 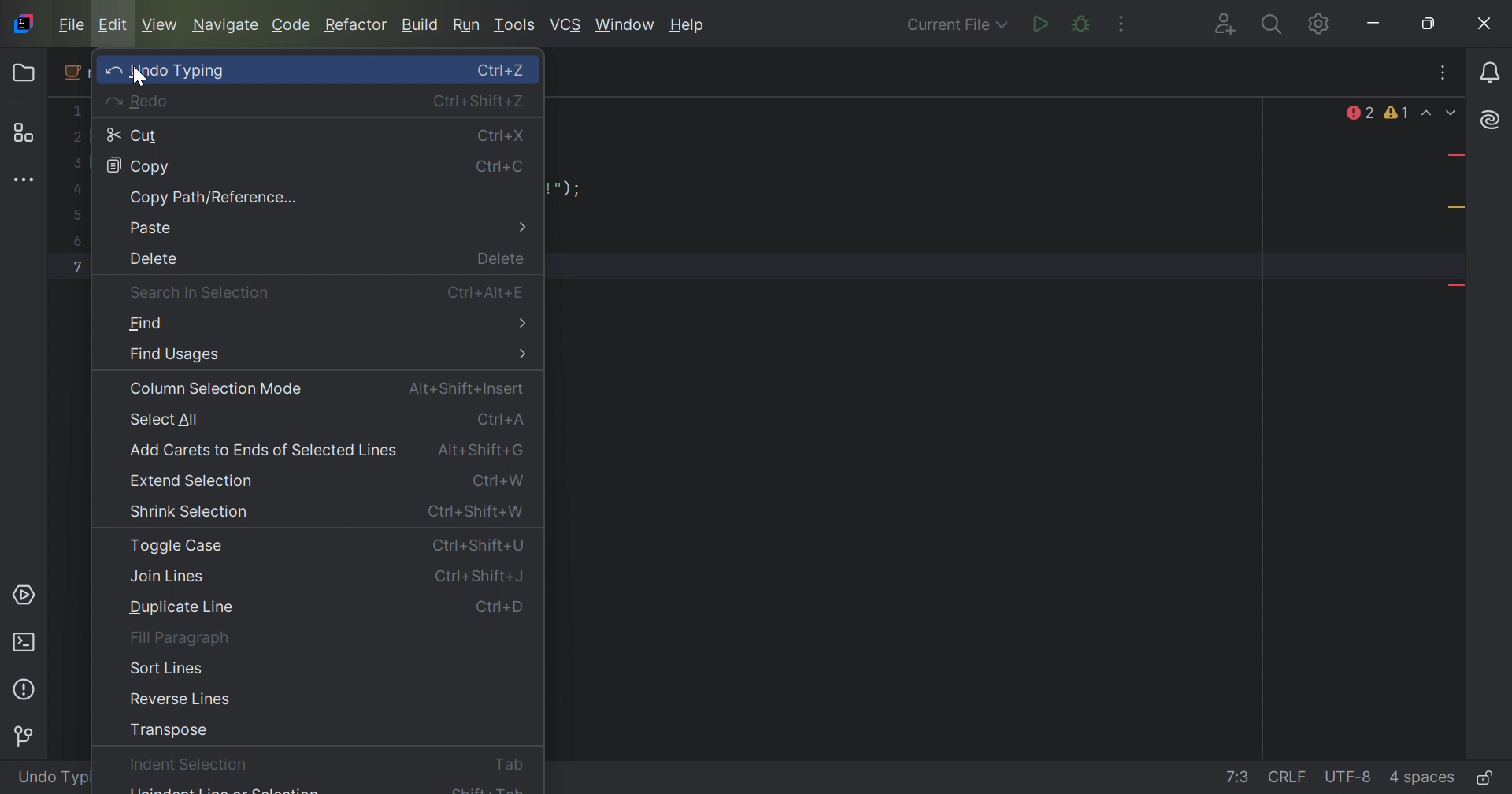 I want to click on Ctrl+Alt+E, so click(x=487, y=293).